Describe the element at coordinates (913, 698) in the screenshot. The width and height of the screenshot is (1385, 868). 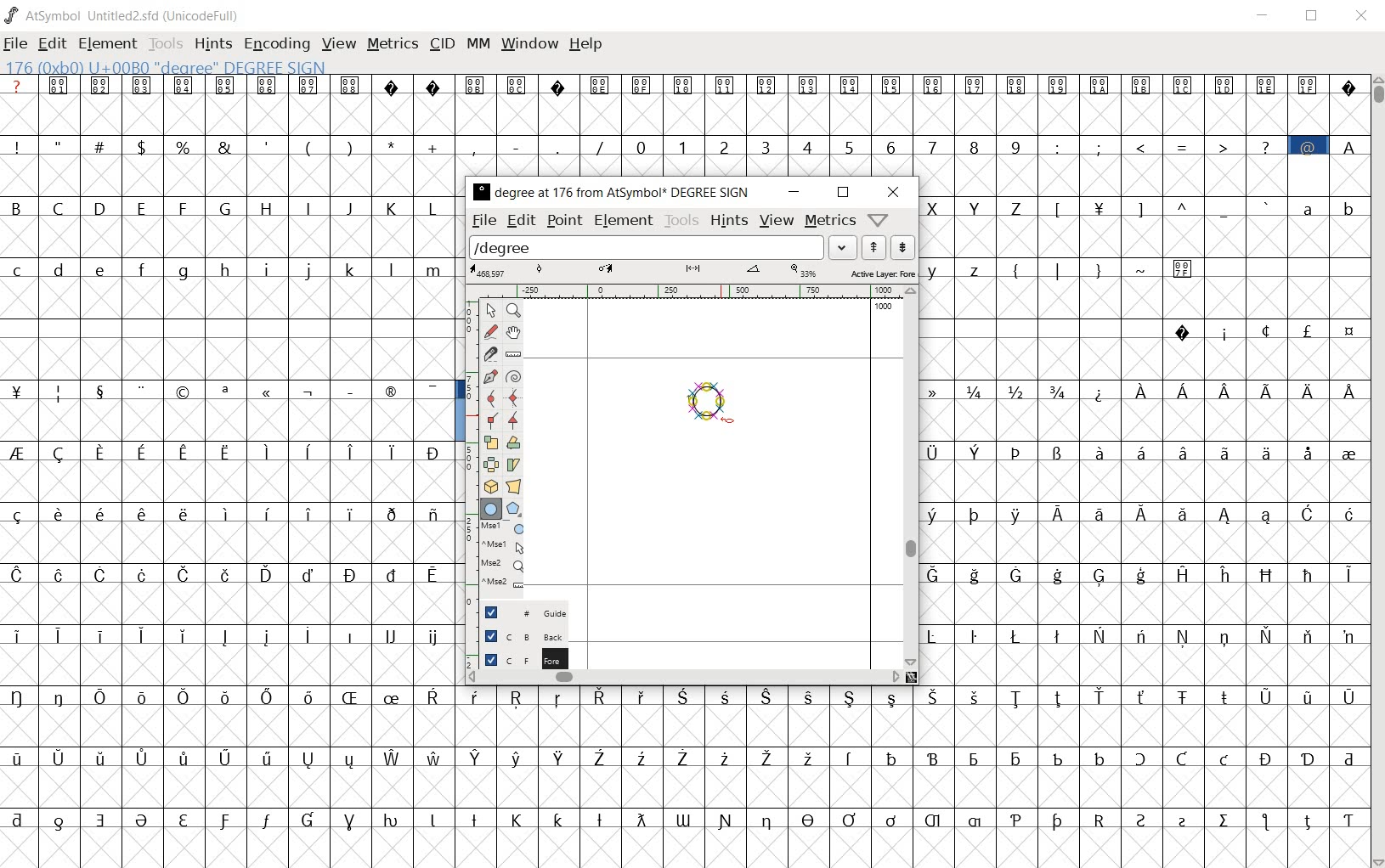
I see `special letters` at that location.